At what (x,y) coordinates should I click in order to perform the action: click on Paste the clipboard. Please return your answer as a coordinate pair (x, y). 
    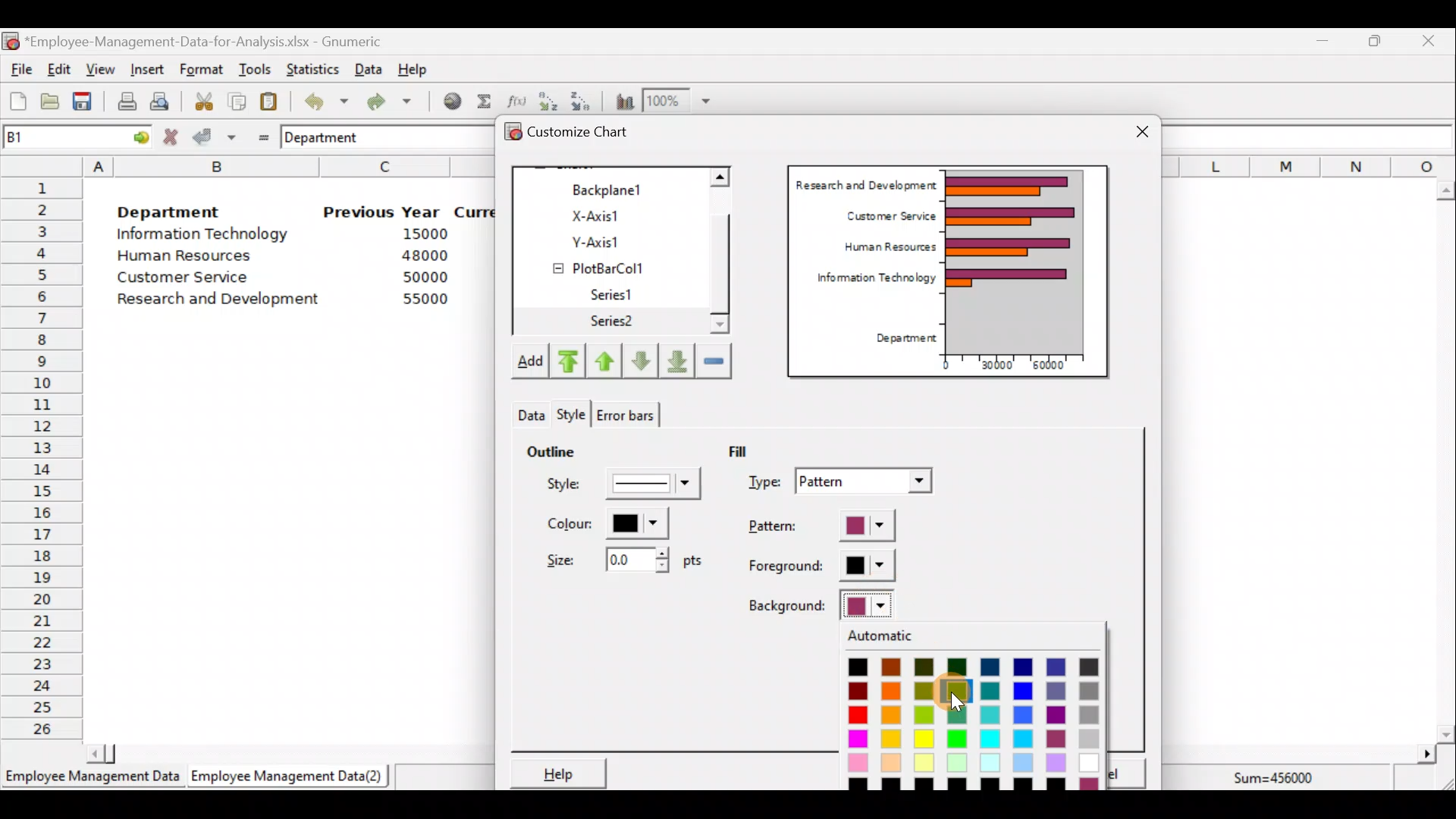
    Looking at the image, I should click on (268, 101).